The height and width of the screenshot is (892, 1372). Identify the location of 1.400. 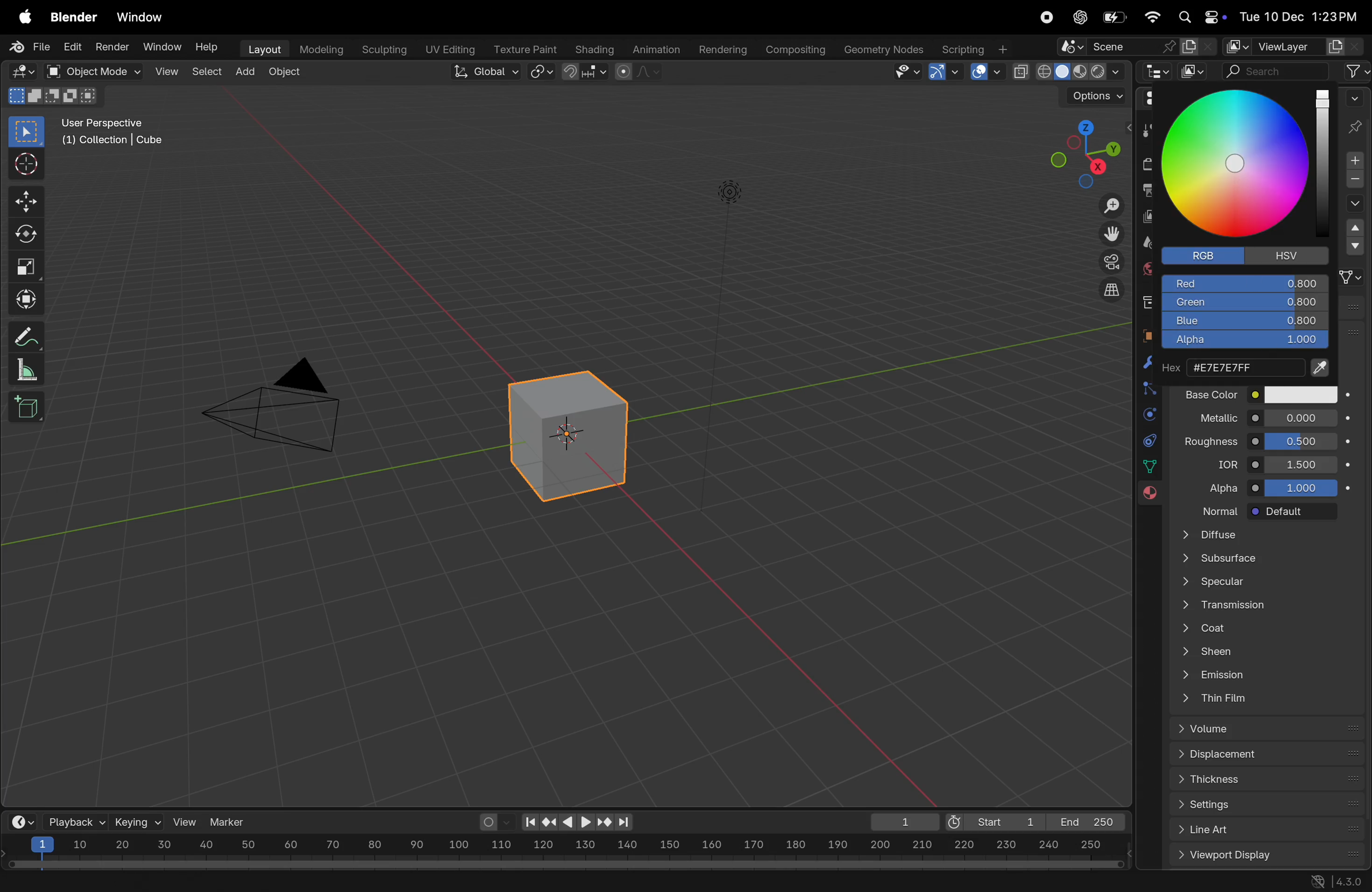
(1304, 463).